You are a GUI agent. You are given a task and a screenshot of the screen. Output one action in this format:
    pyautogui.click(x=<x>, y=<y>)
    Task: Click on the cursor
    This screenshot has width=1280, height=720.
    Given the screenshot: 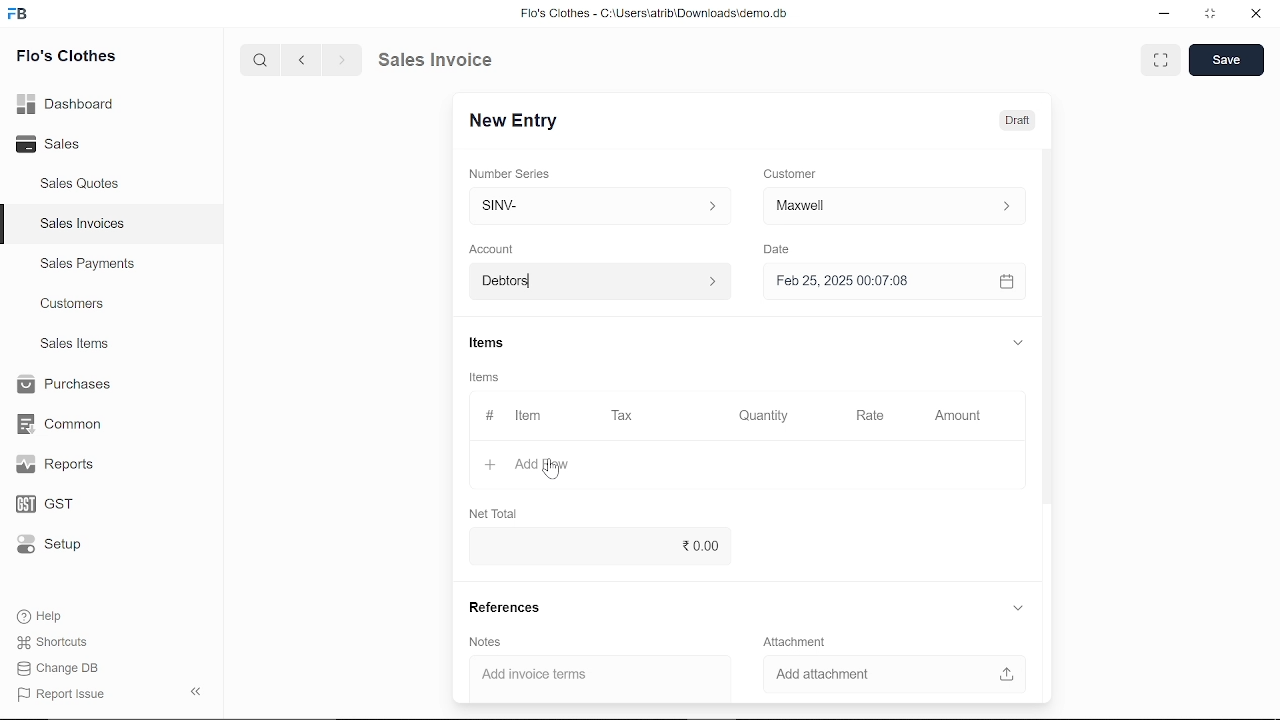 What is the action you would take?
    pyautogui.click(x=553, y=471)
    